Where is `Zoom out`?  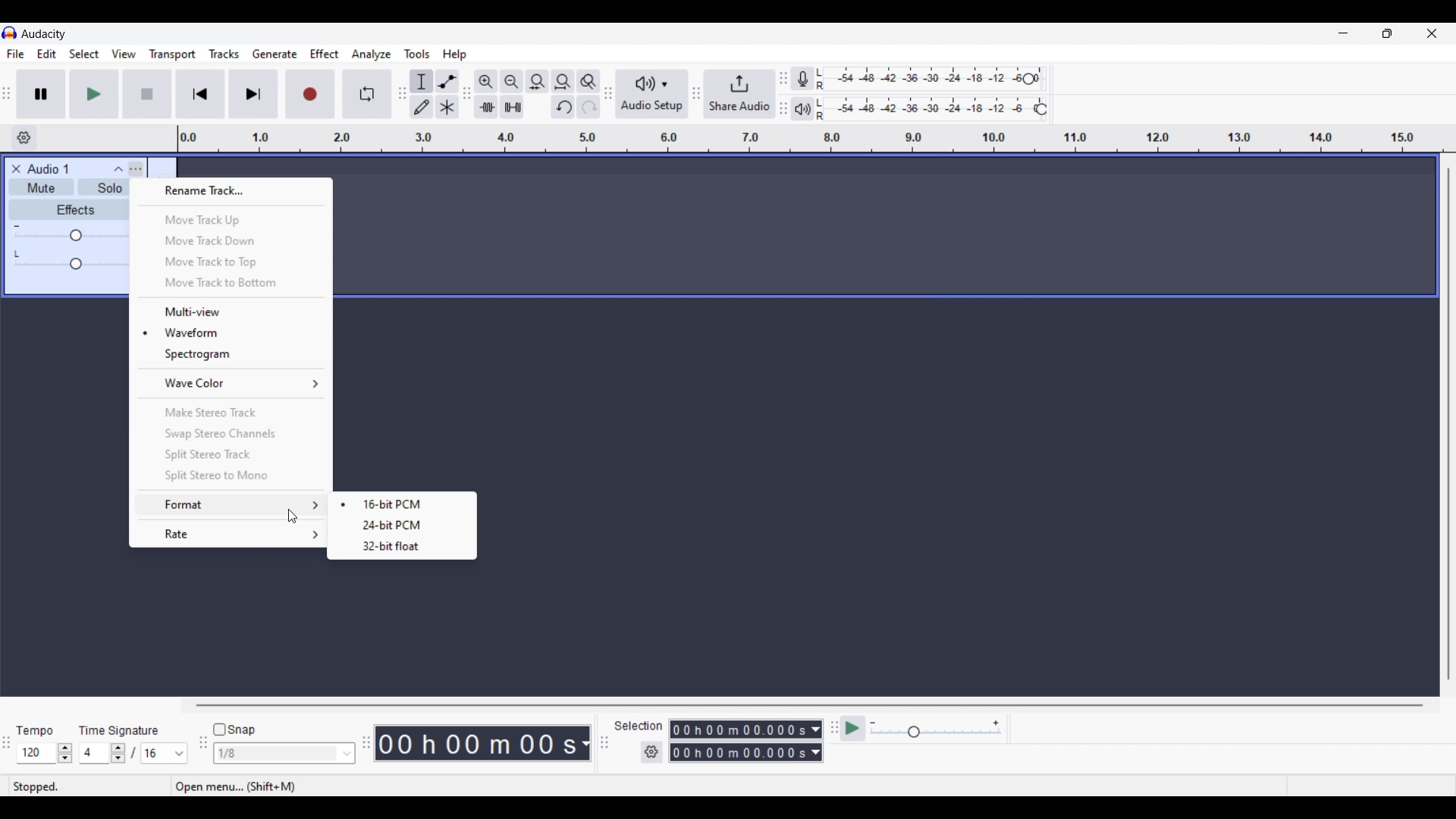 Zoom out is located at coordinates (511, 81).